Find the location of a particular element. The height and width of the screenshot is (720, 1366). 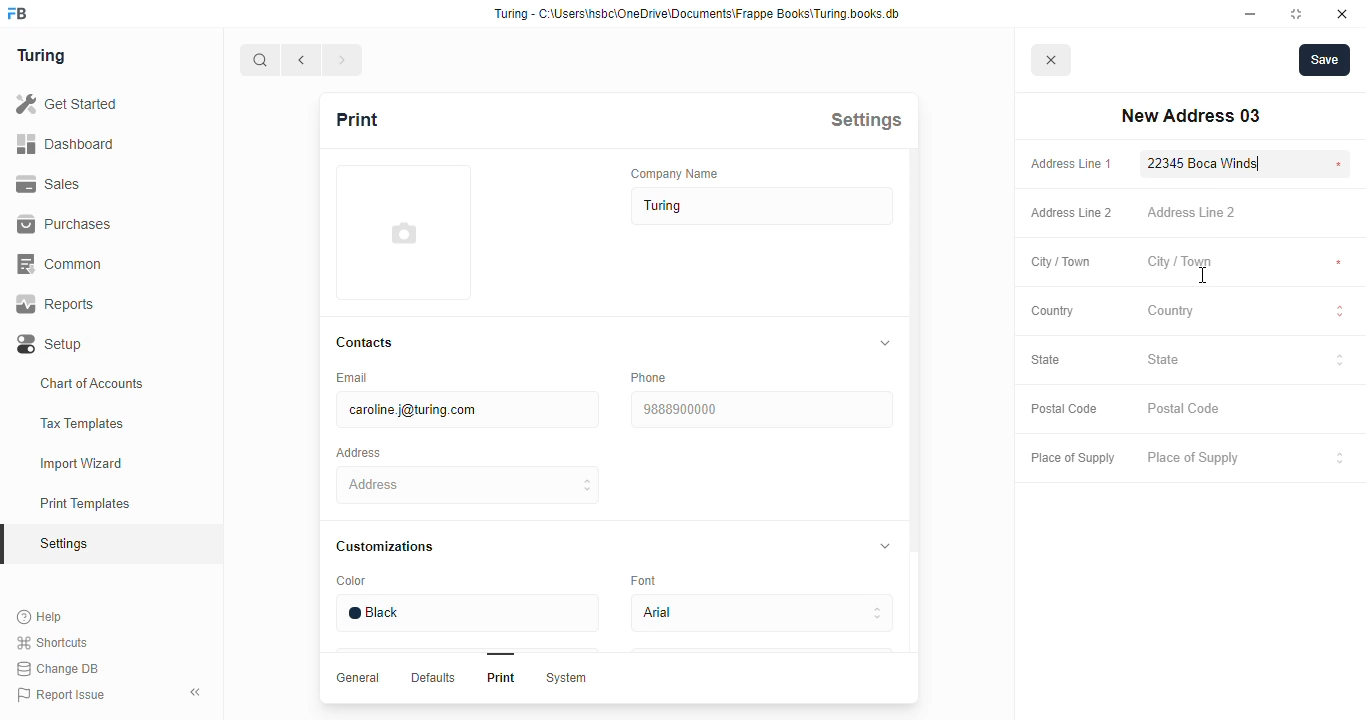

purchases is located at coordinates (64, 224).